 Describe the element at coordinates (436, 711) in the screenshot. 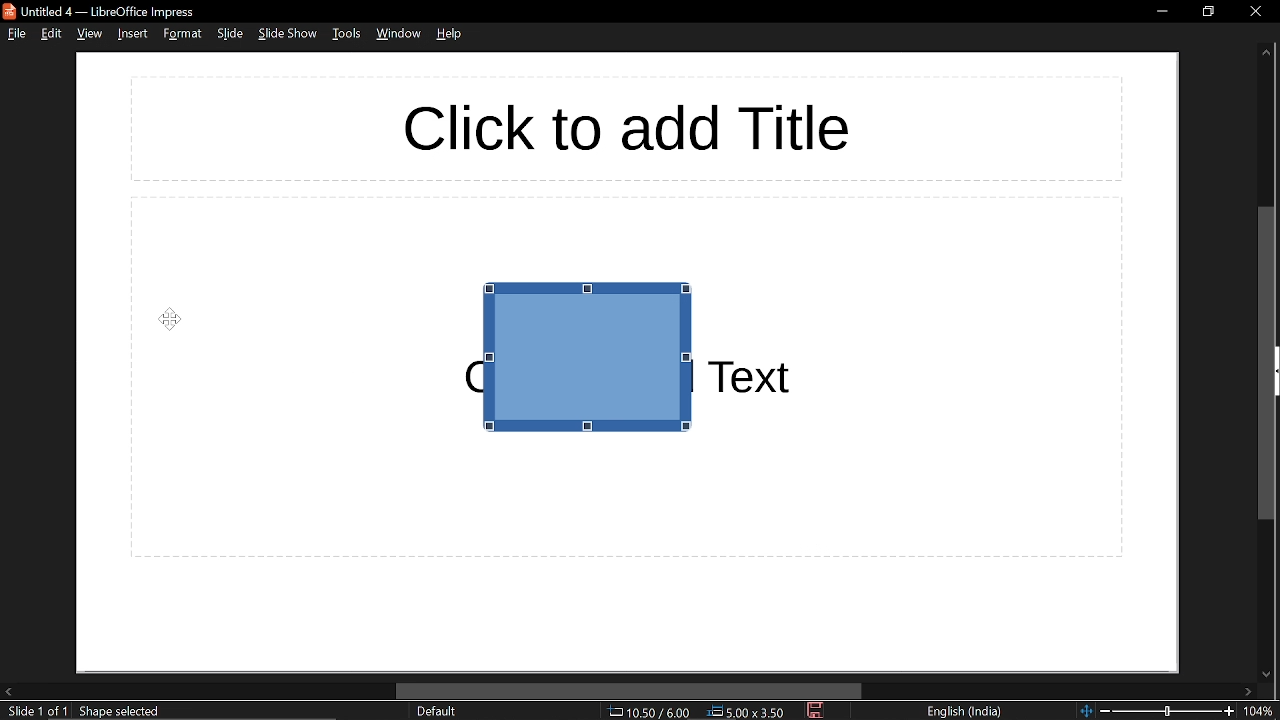

I see `page style` at that location.